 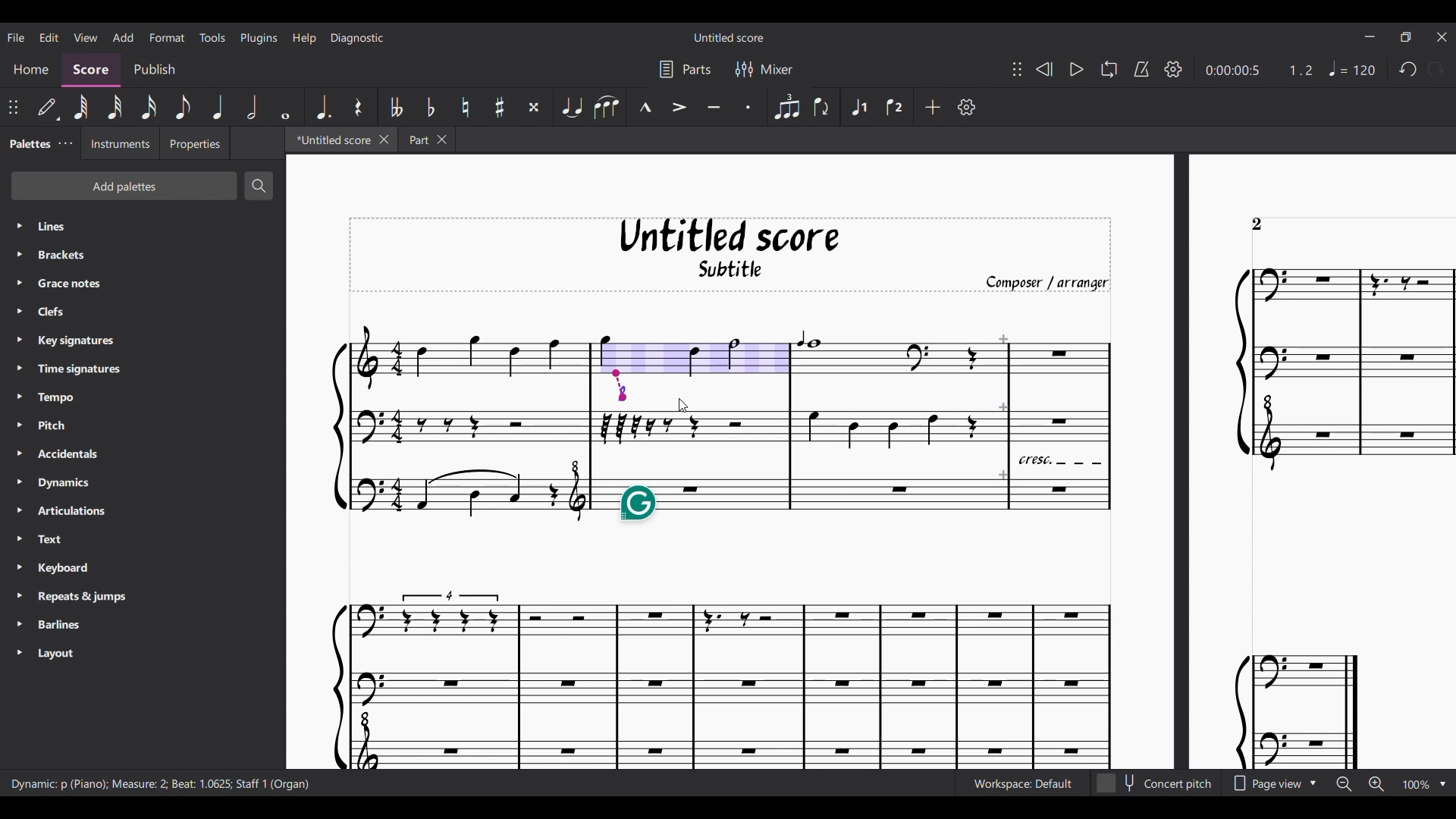 I want to click on 32nd note, so click(x=115, y=107).